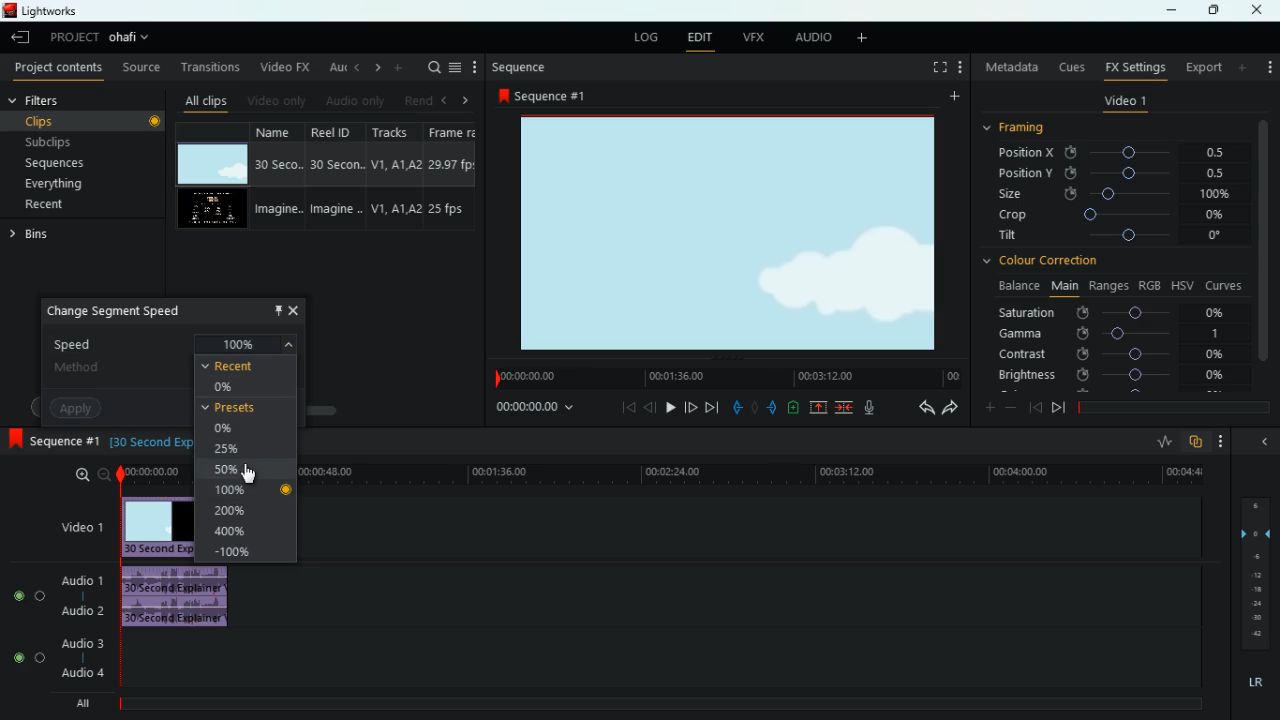  Describe the element at coordinates (1269, 66) in the screenshot. I see `add` at that location.